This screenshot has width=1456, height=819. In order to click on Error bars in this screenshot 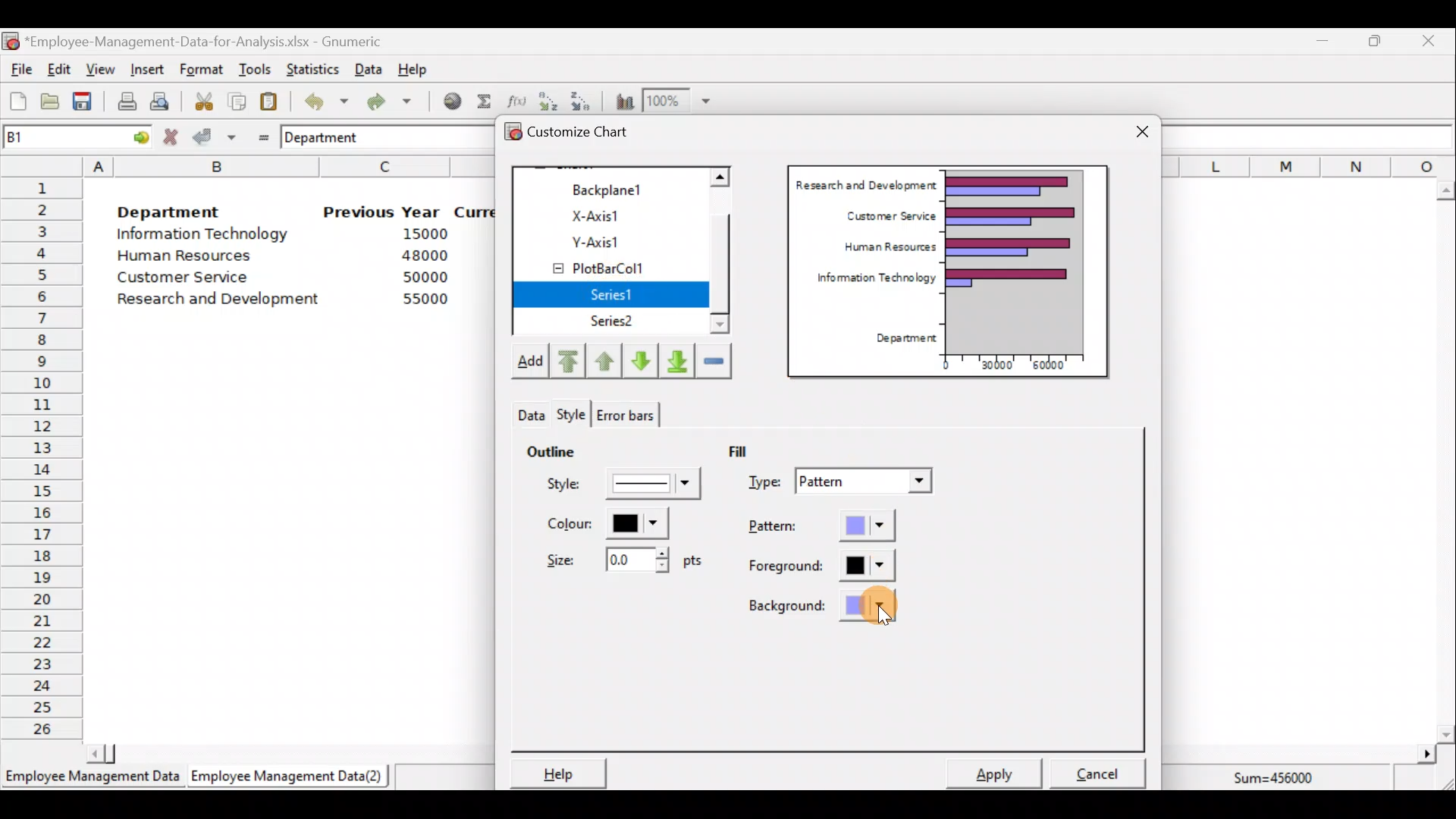, I will do `click(625, 412)`.